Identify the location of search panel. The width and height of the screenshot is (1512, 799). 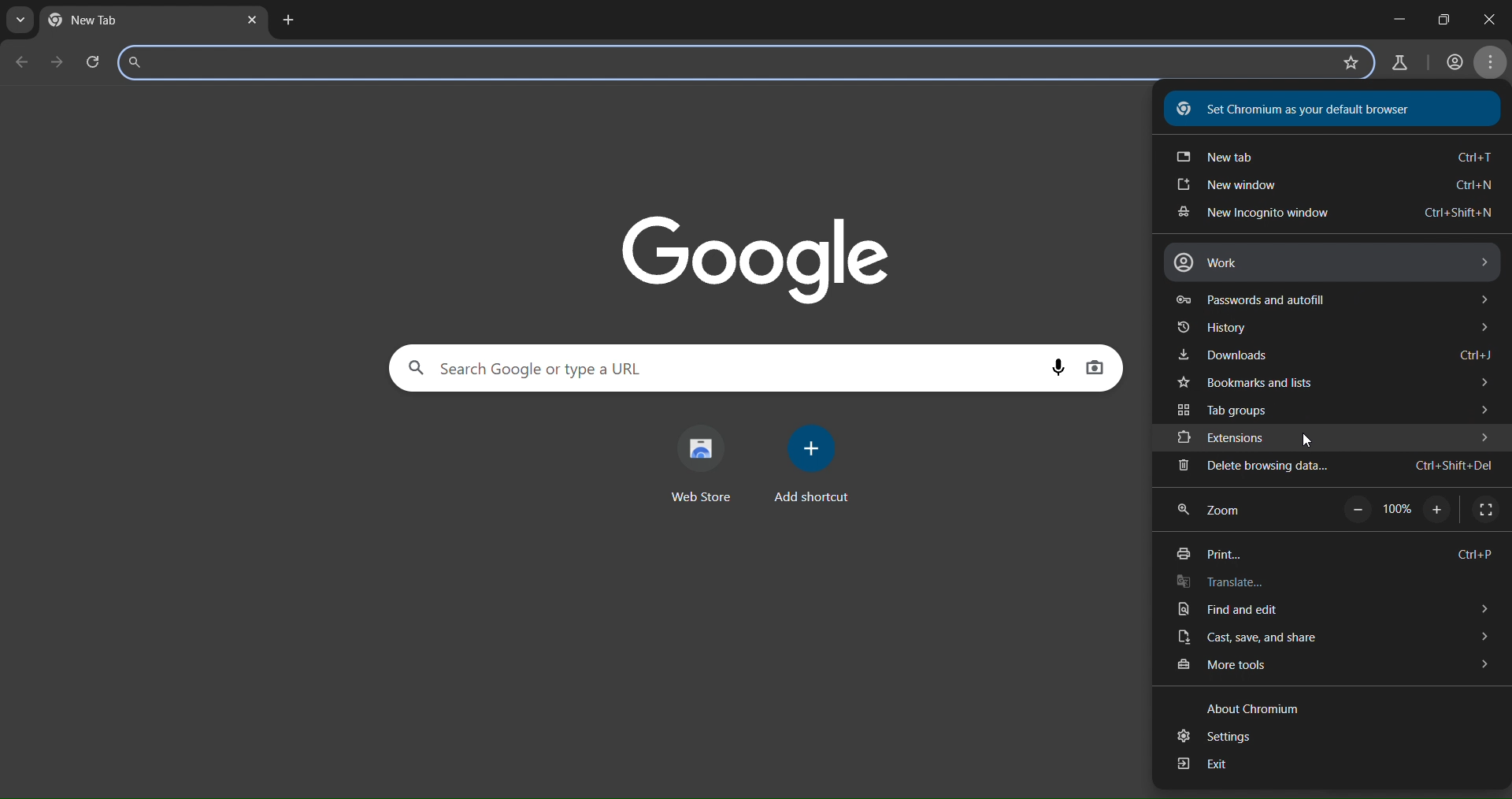
(718, 65).